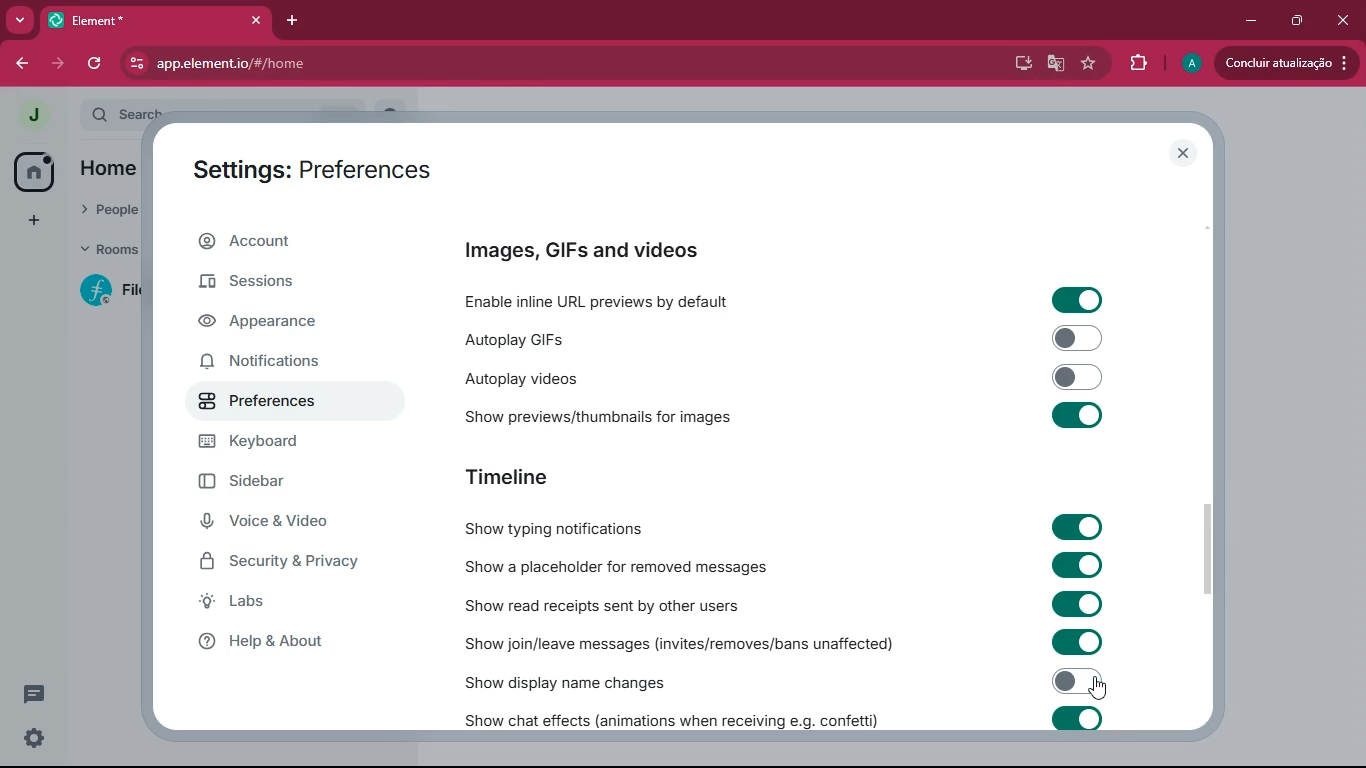 This screenshot has height=768, width=1366. What do you see at coordinates (583, 683) in the screenshot?
I see `show display name changes` at bounding box center [583, 683].